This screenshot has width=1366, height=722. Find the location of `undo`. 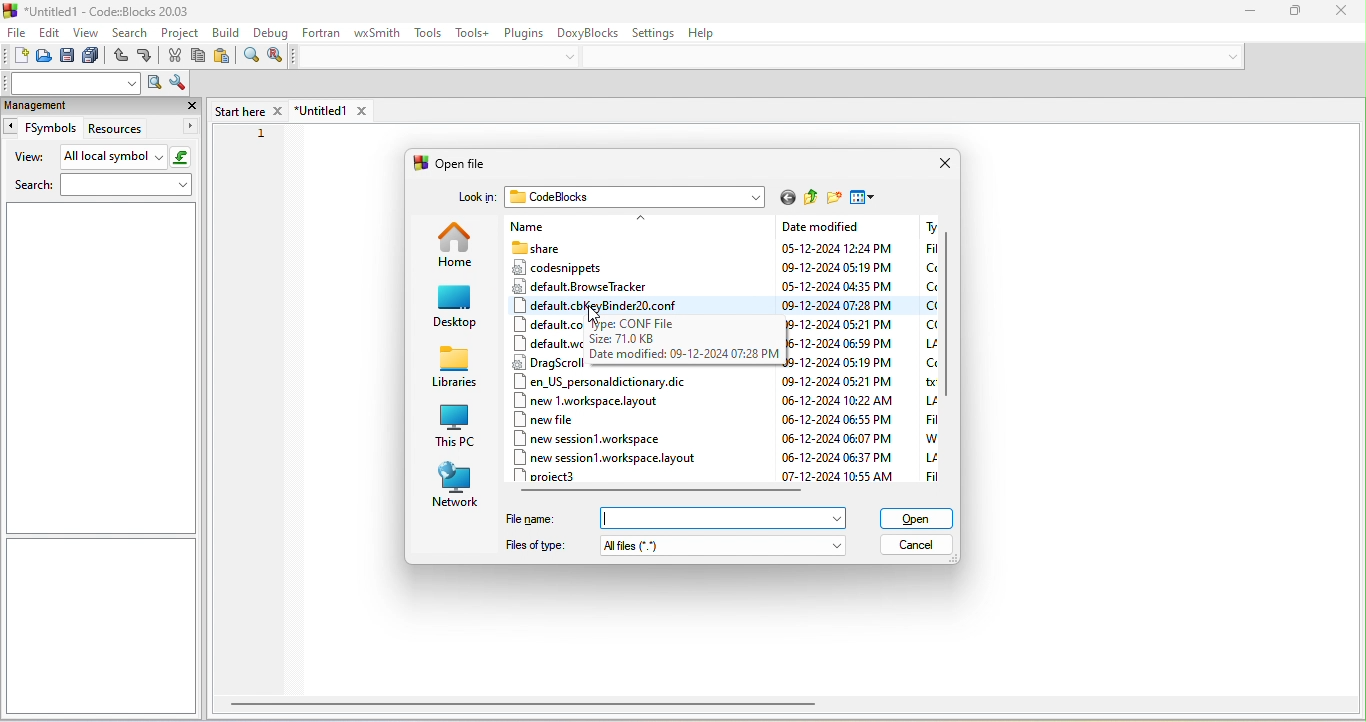

undo is located at coordinates (120, 57).